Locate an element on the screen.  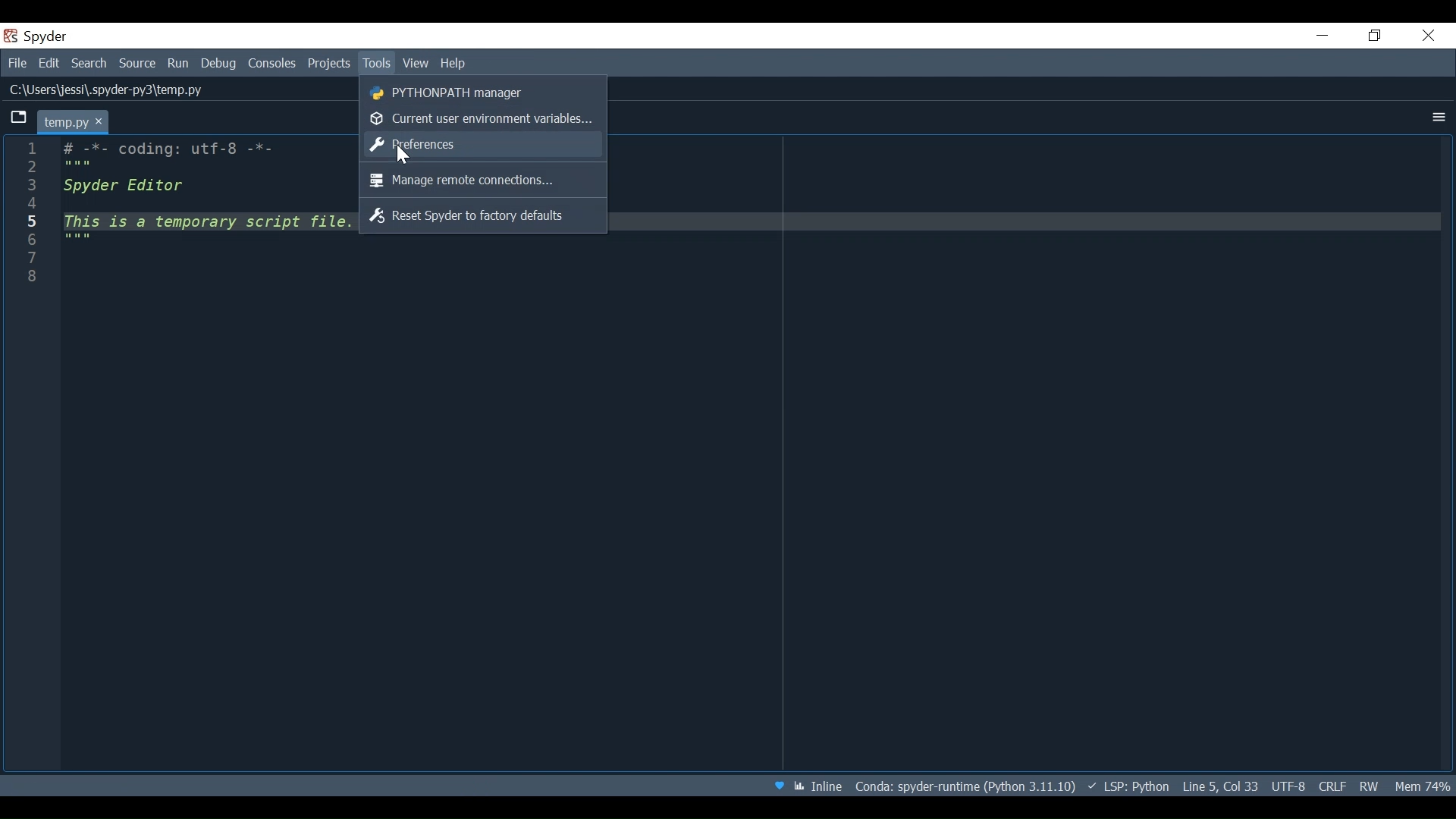
File Path is located at coordinates (111, 89).